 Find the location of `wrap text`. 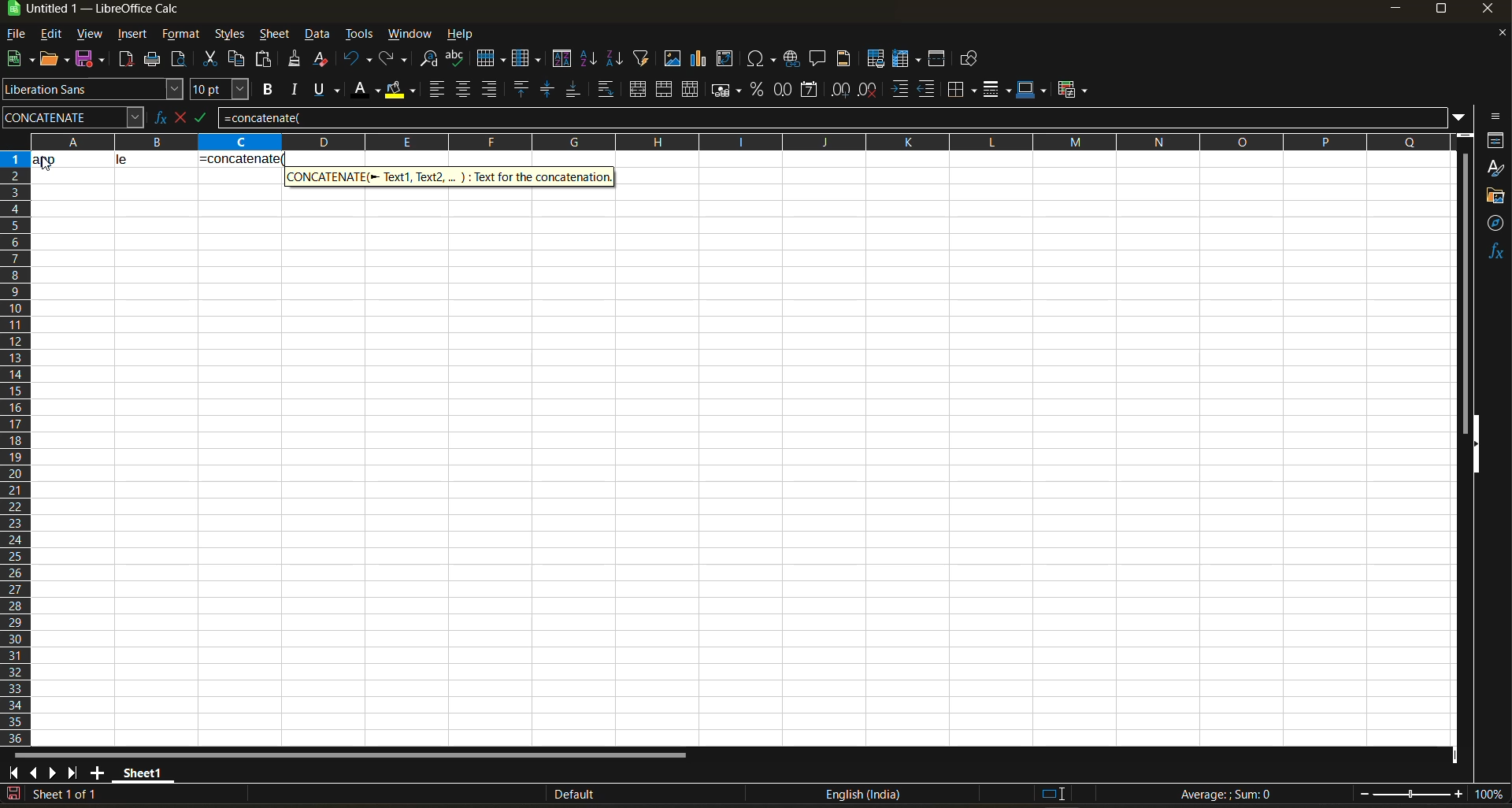

wrap text is located at coordinates (605, 91).